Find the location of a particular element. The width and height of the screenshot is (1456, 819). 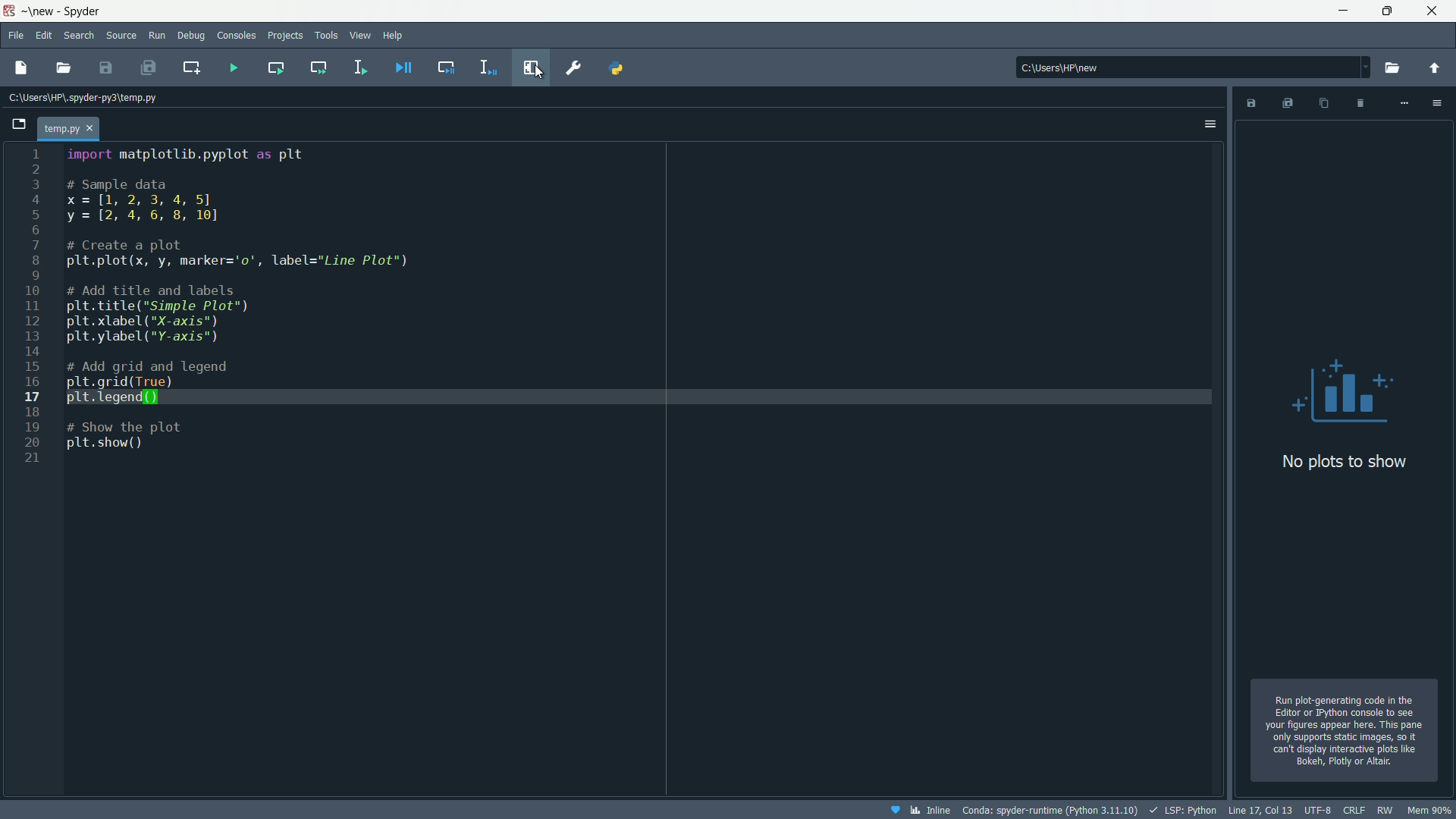

LSP:Python is located at coordinates (1184, 809).